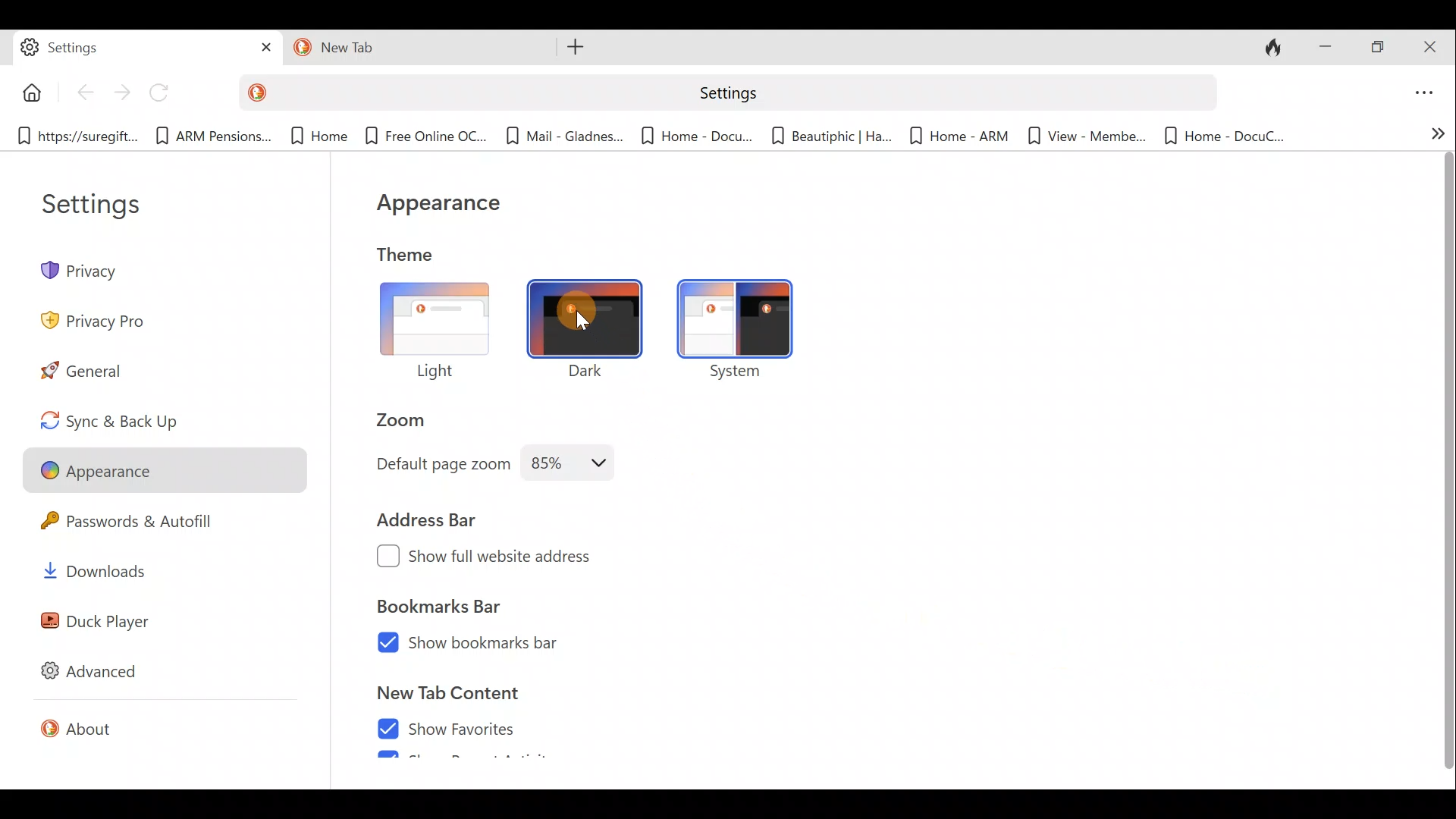 The height and width of the screenshot is (819, 1456). Describe the element at coordinates (422, 136) in the screenshot. I see `Bookmark 4` at that location.